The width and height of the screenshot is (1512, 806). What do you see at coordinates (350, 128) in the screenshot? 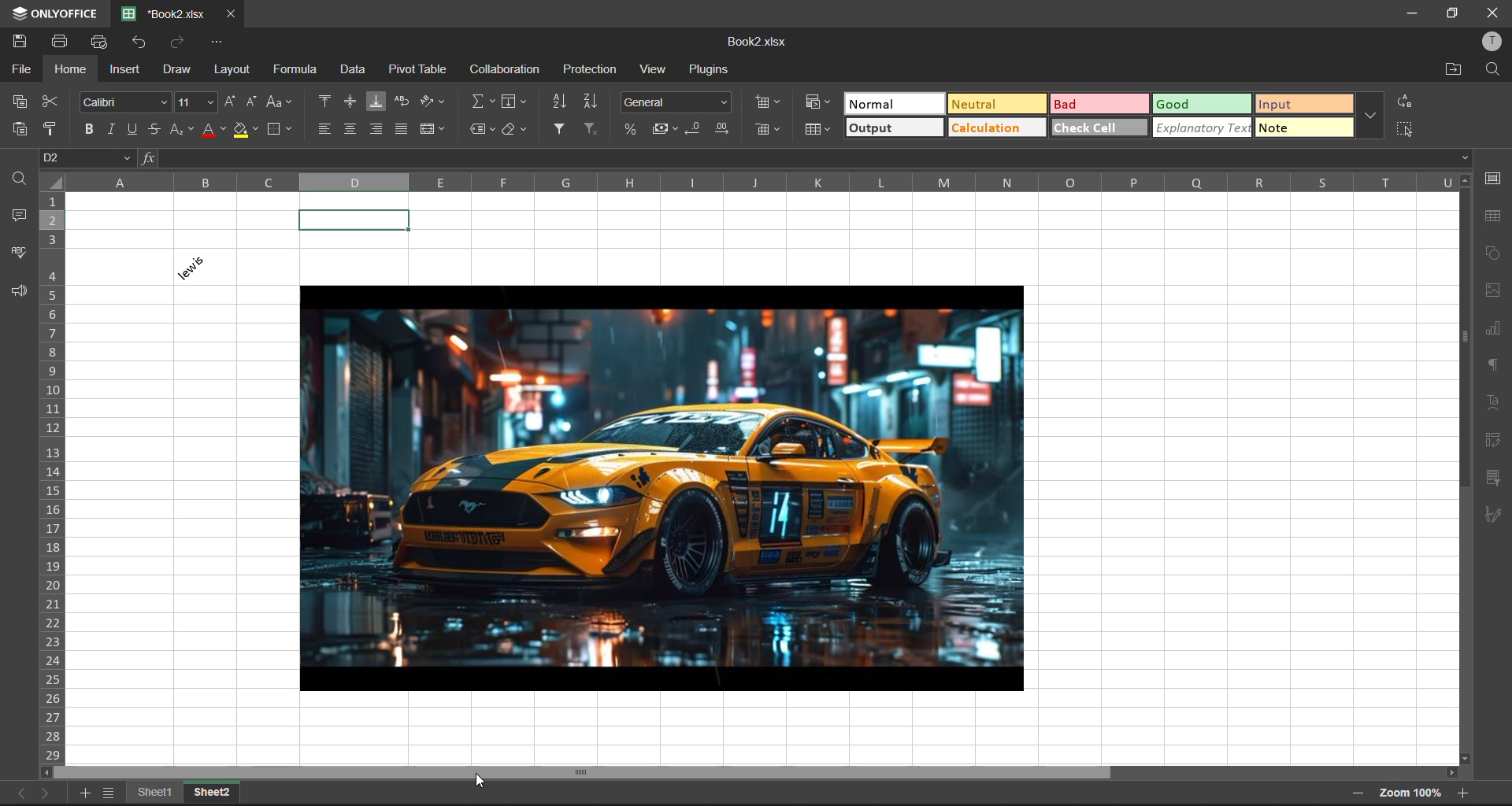
I see `align center` at bounding box center [350, 128].